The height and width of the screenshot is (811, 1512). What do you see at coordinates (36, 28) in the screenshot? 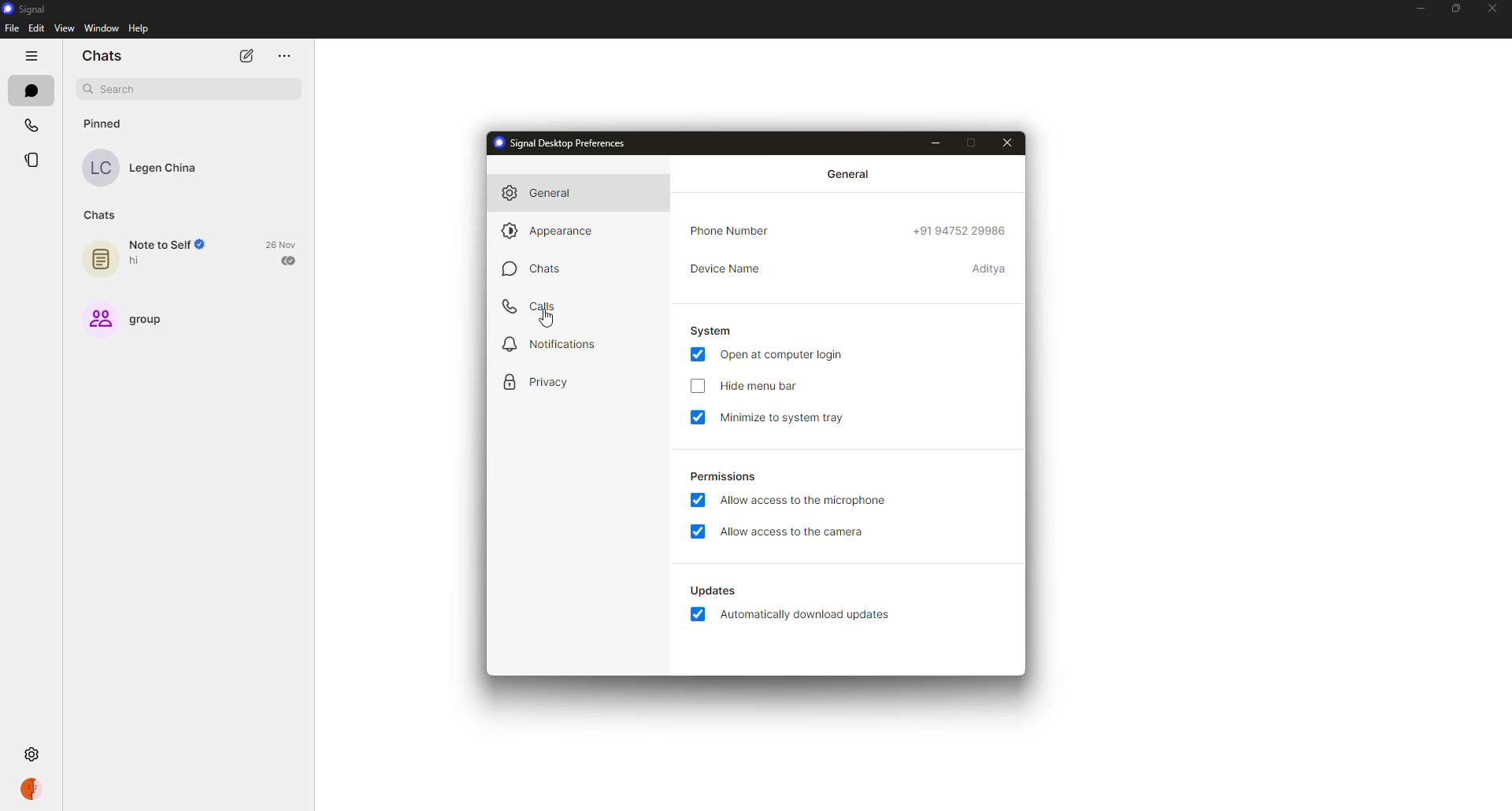
I see `edit` at bounding box center [36, 28].